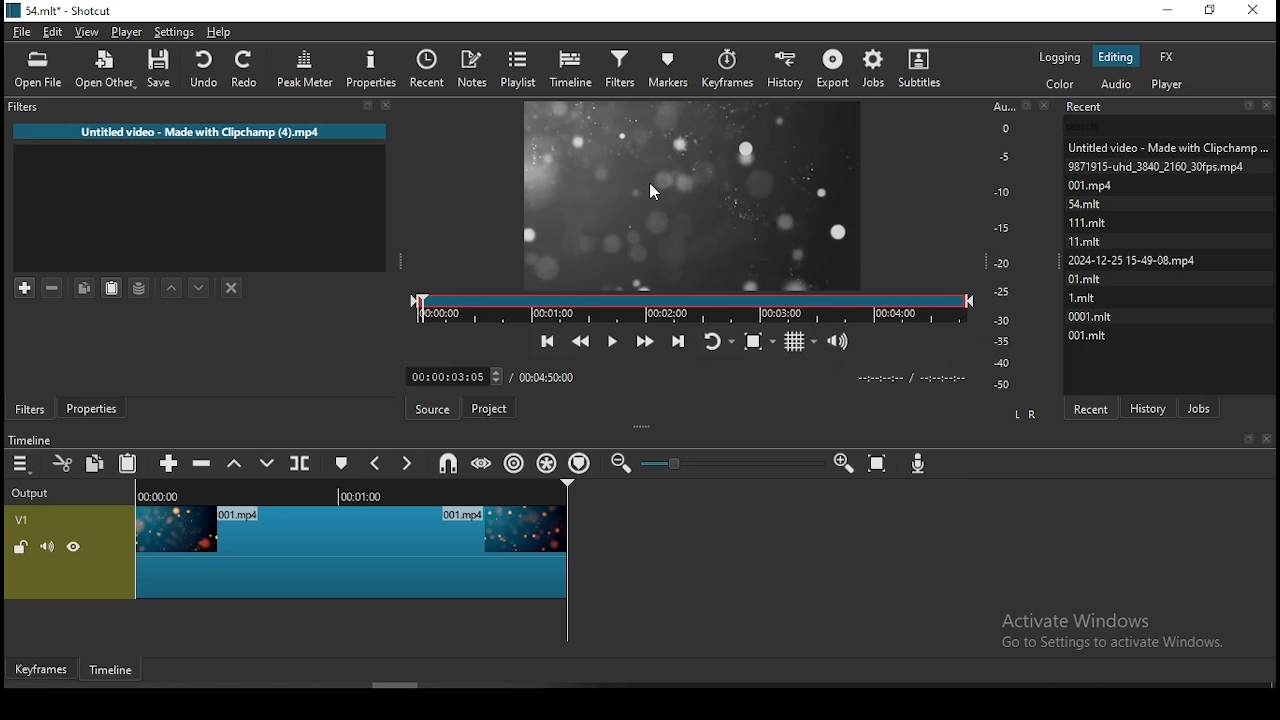  Describe the element at coordinates (840, 342) in the screenshot. I see `volume control` at that location.